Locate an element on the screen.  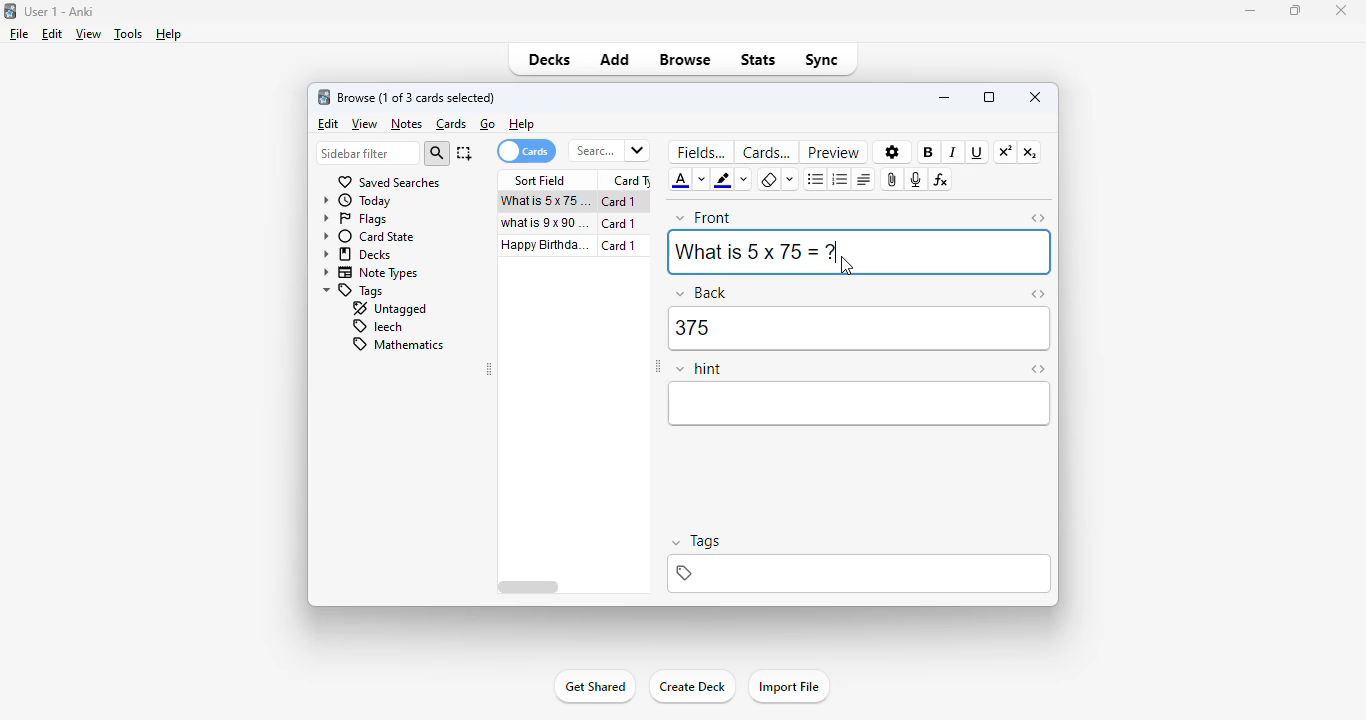
tools is located at coordinates (130, 34).